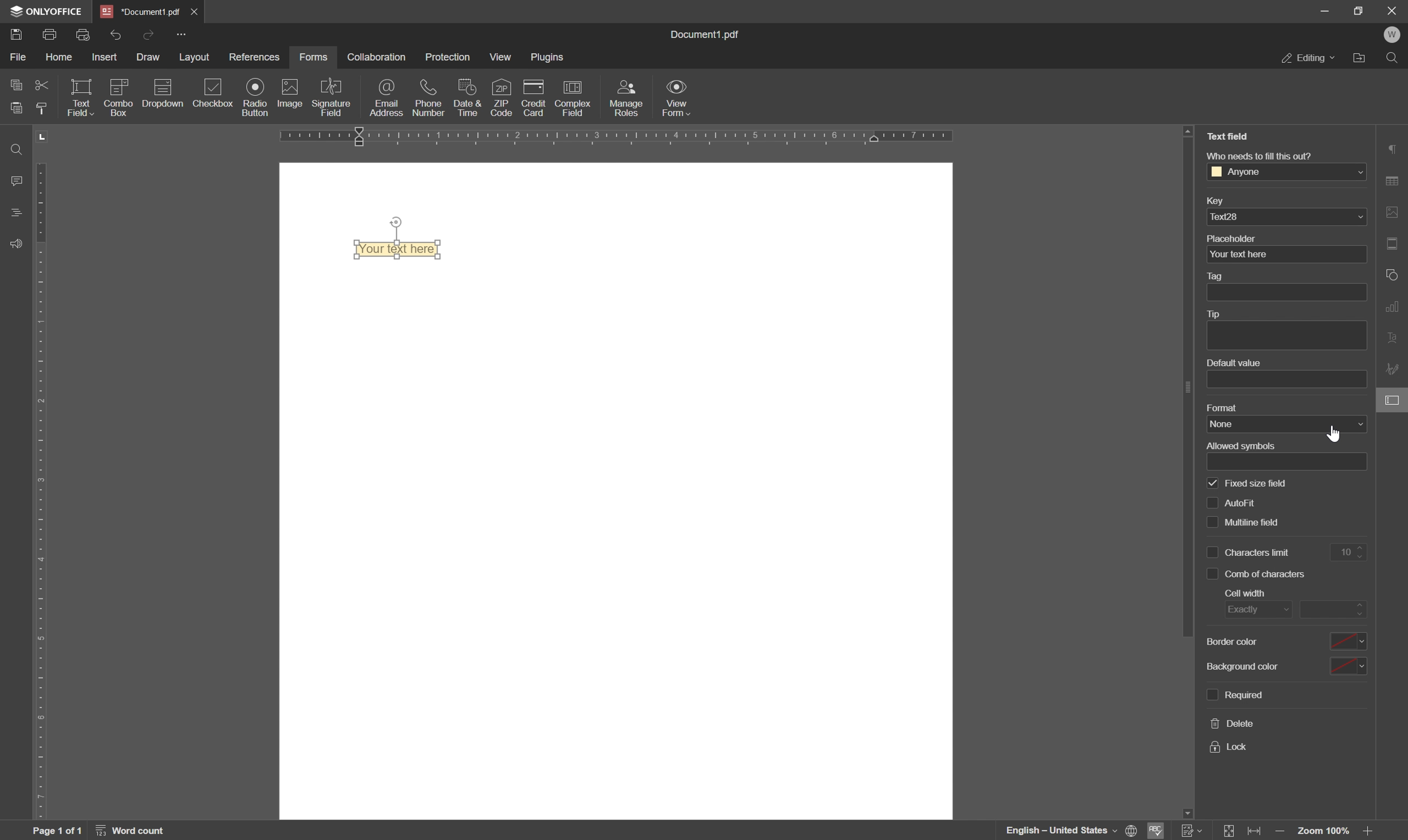  Describe the element at coordinates (255, 57) in the screenshot. I see `references` at that location.